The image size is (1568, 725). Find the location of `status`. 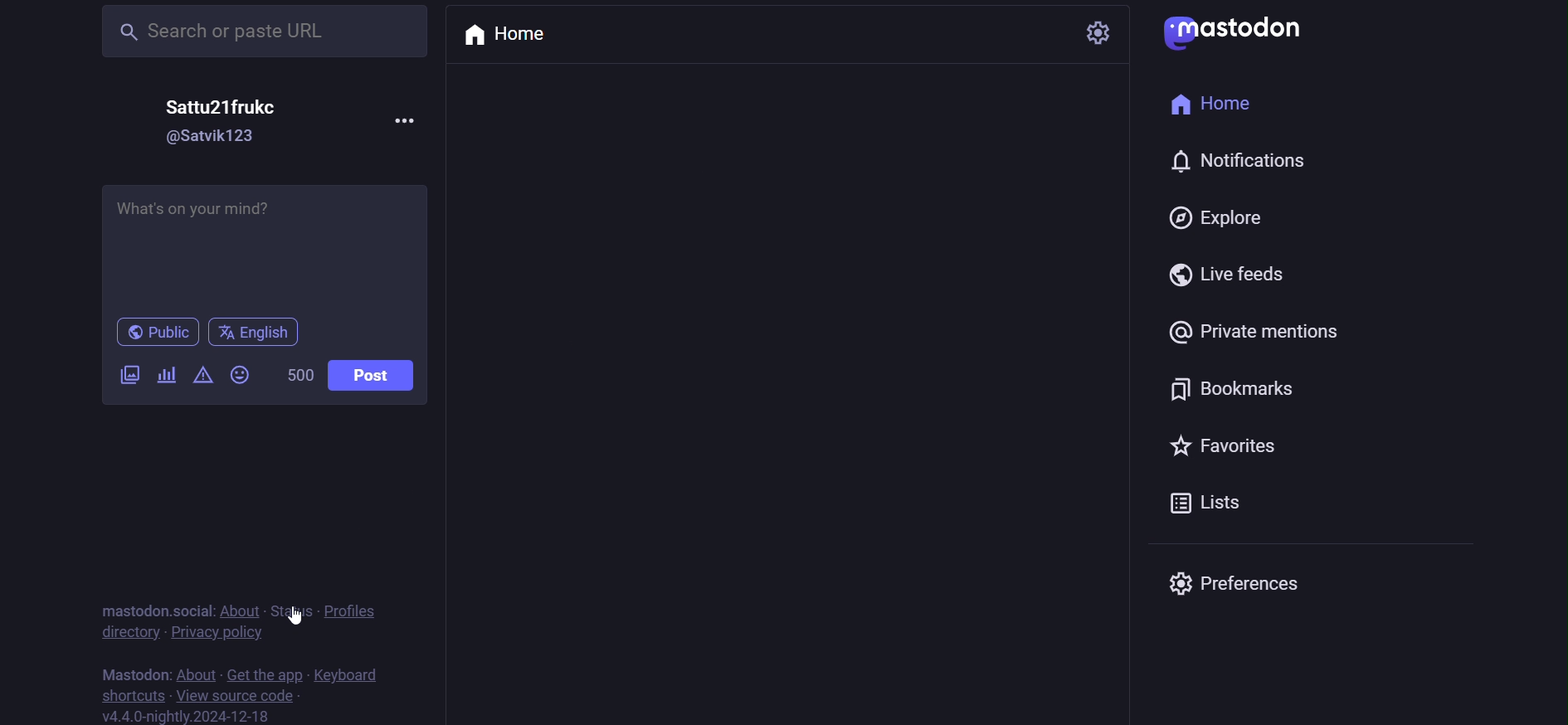

status is located at coordinates (292, 609).